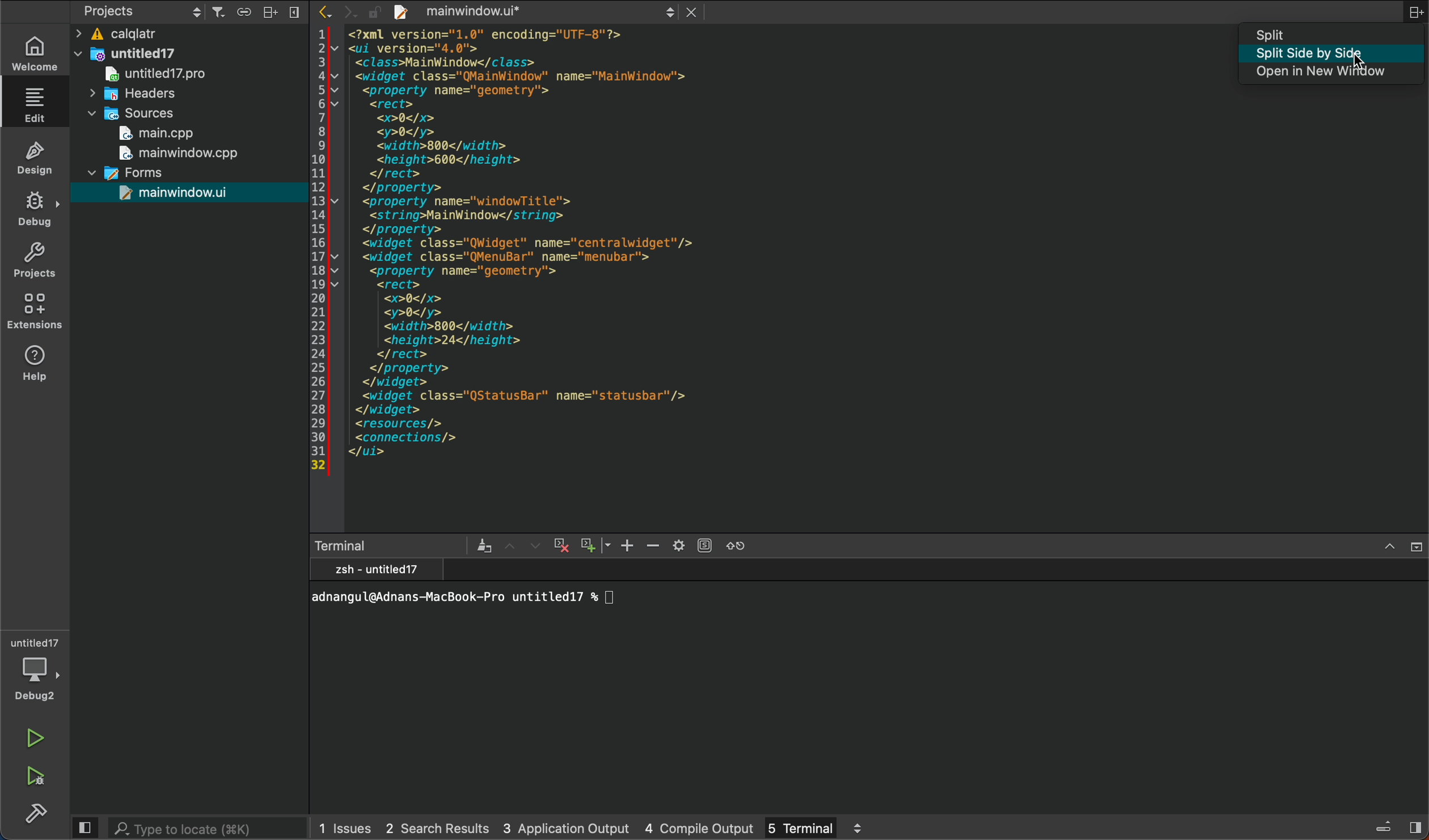  What do you see at coordinates (437, 828) in the screenshot?
I see `search results` at bounding box center [437, 828].